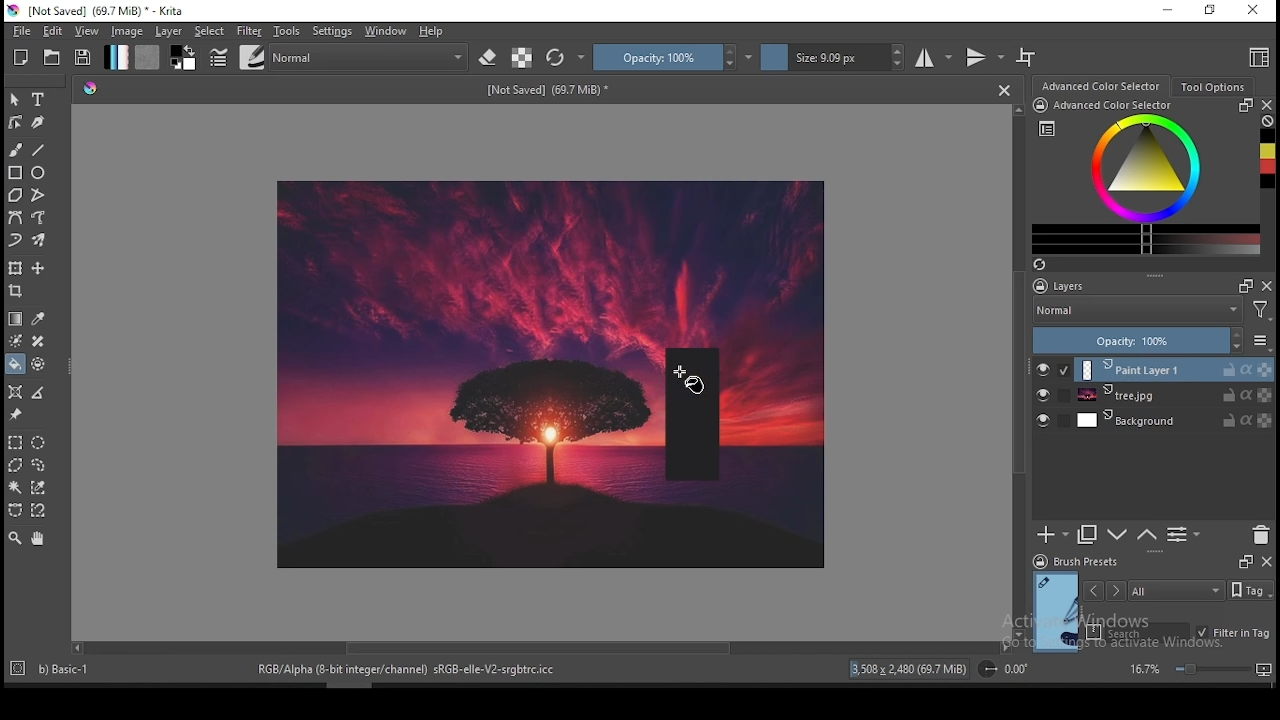 Image resolution: width=1280 pixels, height=720 pixels. Describe the element at coordinates (539, 649) in the screenshot. I see `Scroll Bar` at that location.